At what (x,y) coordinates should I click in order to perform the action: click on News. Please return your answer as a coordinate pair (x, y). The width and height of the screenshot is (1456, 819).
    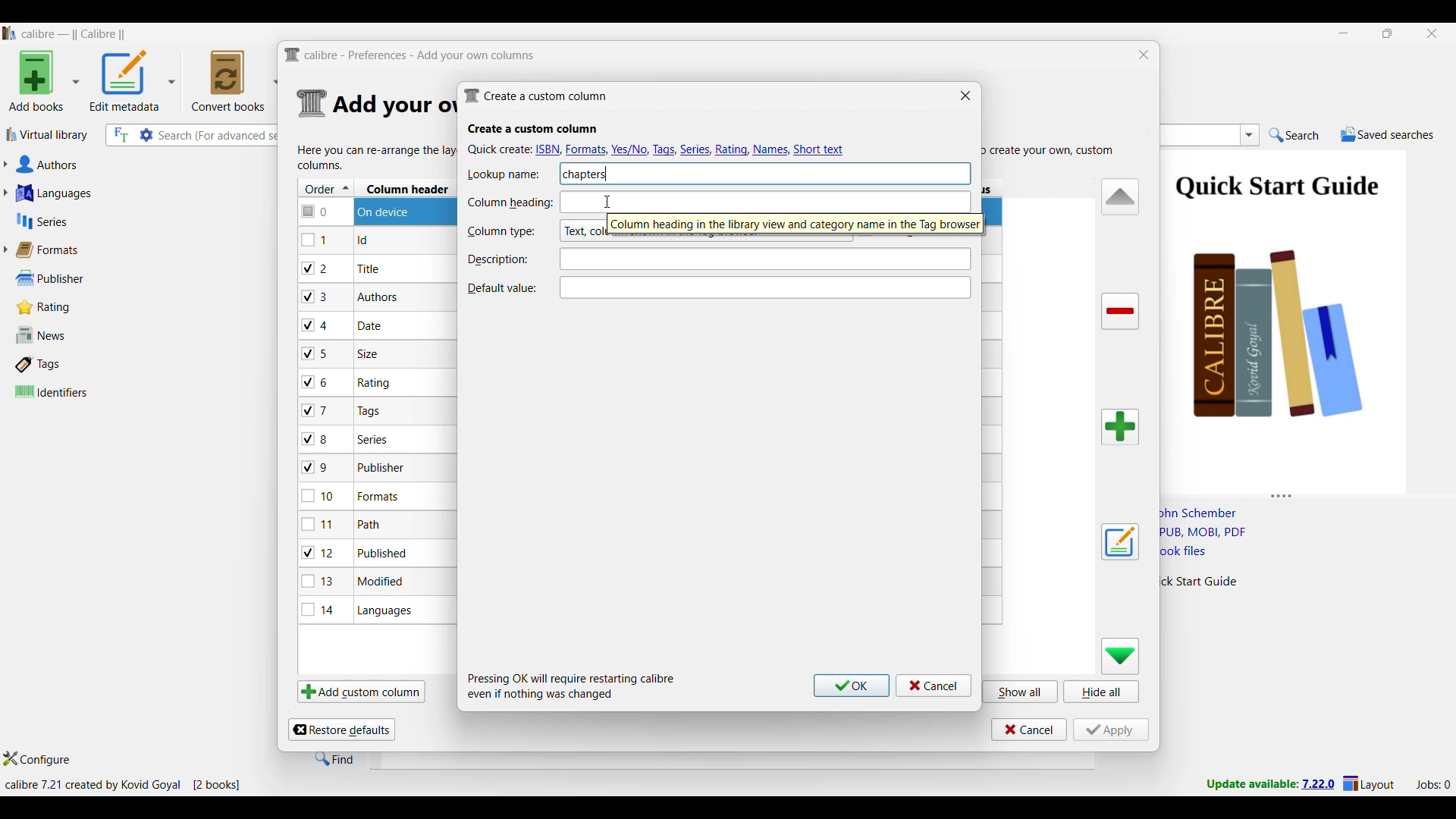
    Looking at the image, I should click on (71, 335).